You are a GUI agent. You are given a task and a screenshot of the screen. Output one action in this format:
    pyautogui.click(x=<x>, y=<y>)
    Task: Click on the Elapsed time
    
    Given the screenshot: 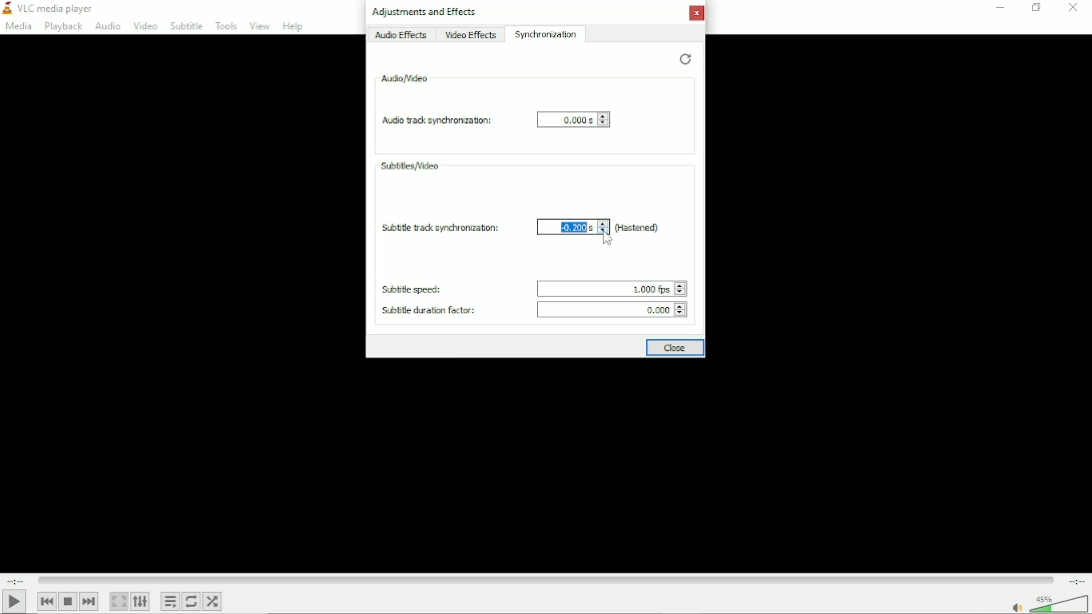 What is the action you would take?
    pyautogui.click(x=17, y=580)
    